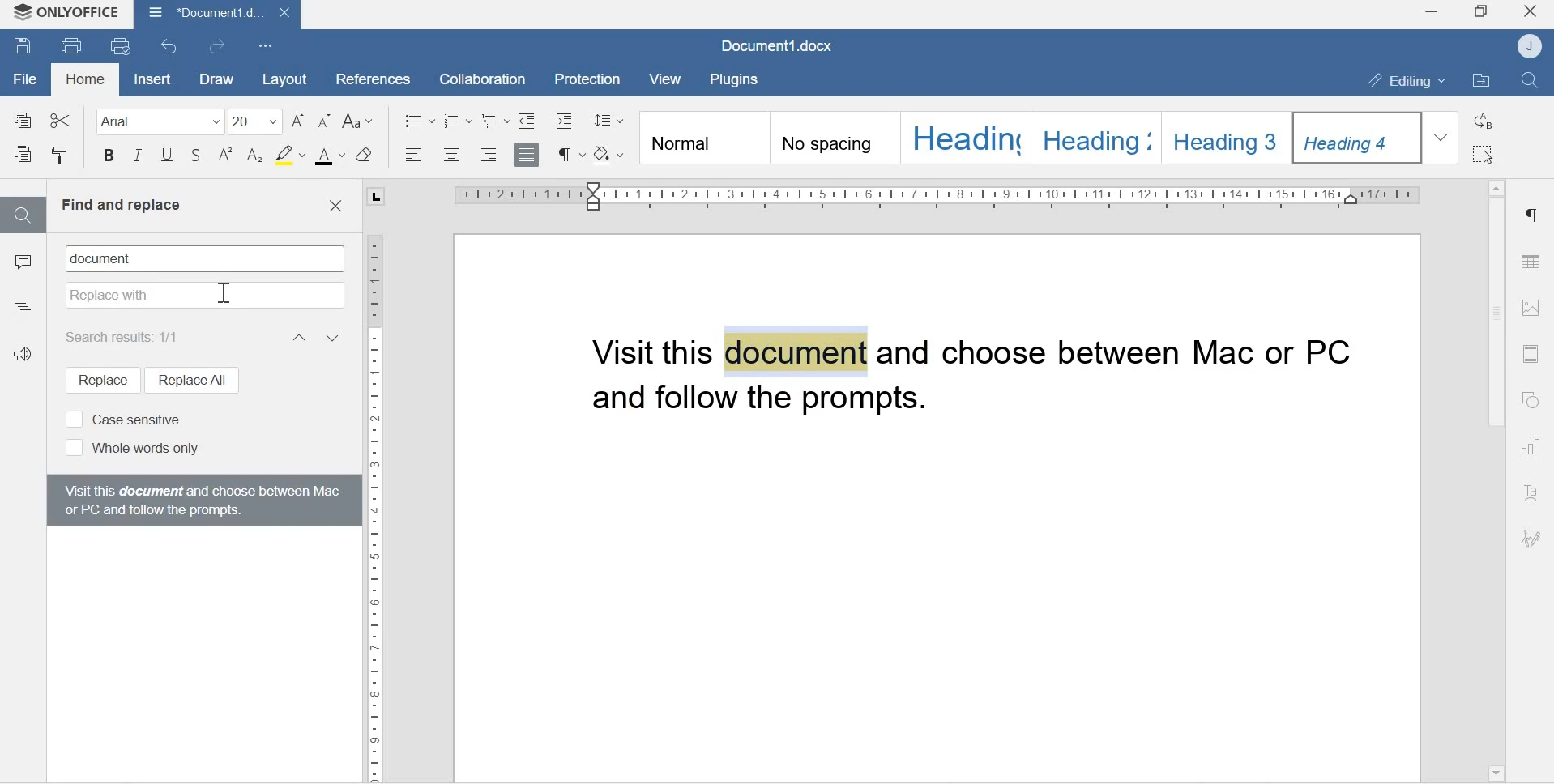 The width and height of the screenshot is (1554, 784). Describe the element at coordinates (1533, 81) in the screenshot. I see `Find` at that location.